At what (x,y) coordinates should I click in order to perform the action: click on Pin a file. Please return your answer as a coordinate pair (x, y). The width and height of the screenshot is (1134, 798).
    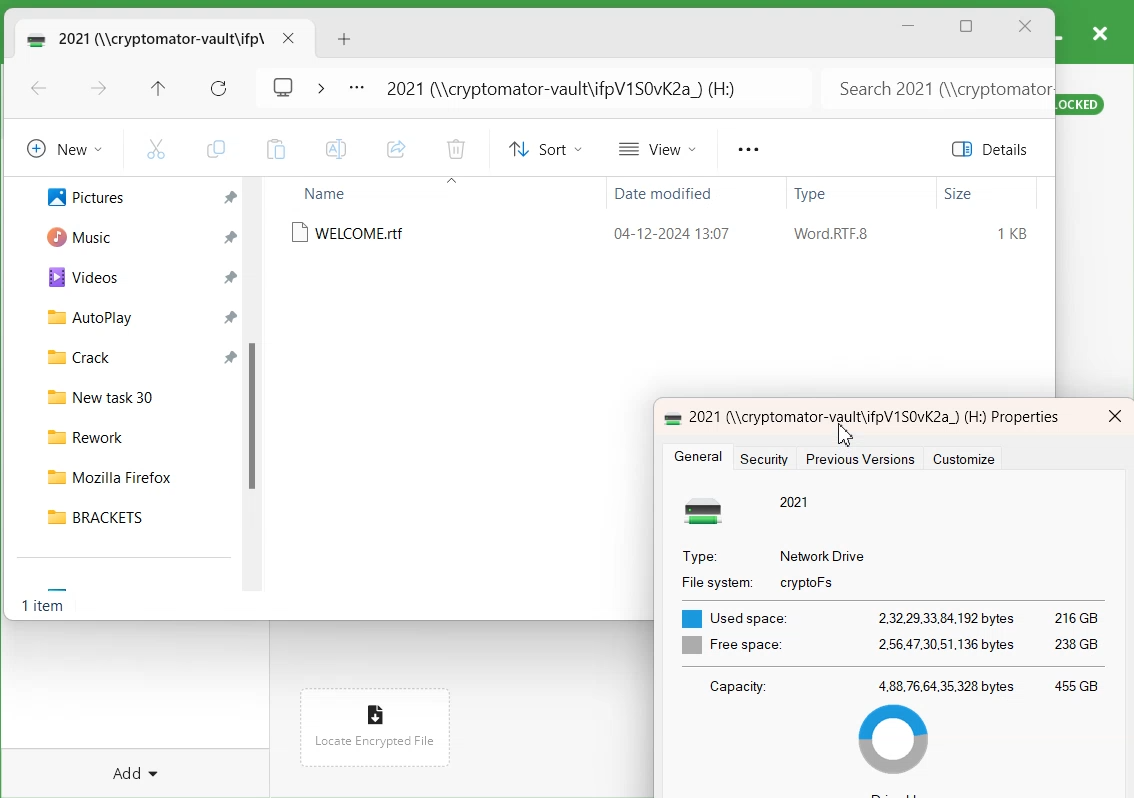
    Looking at the image, I should click on (231, 316).